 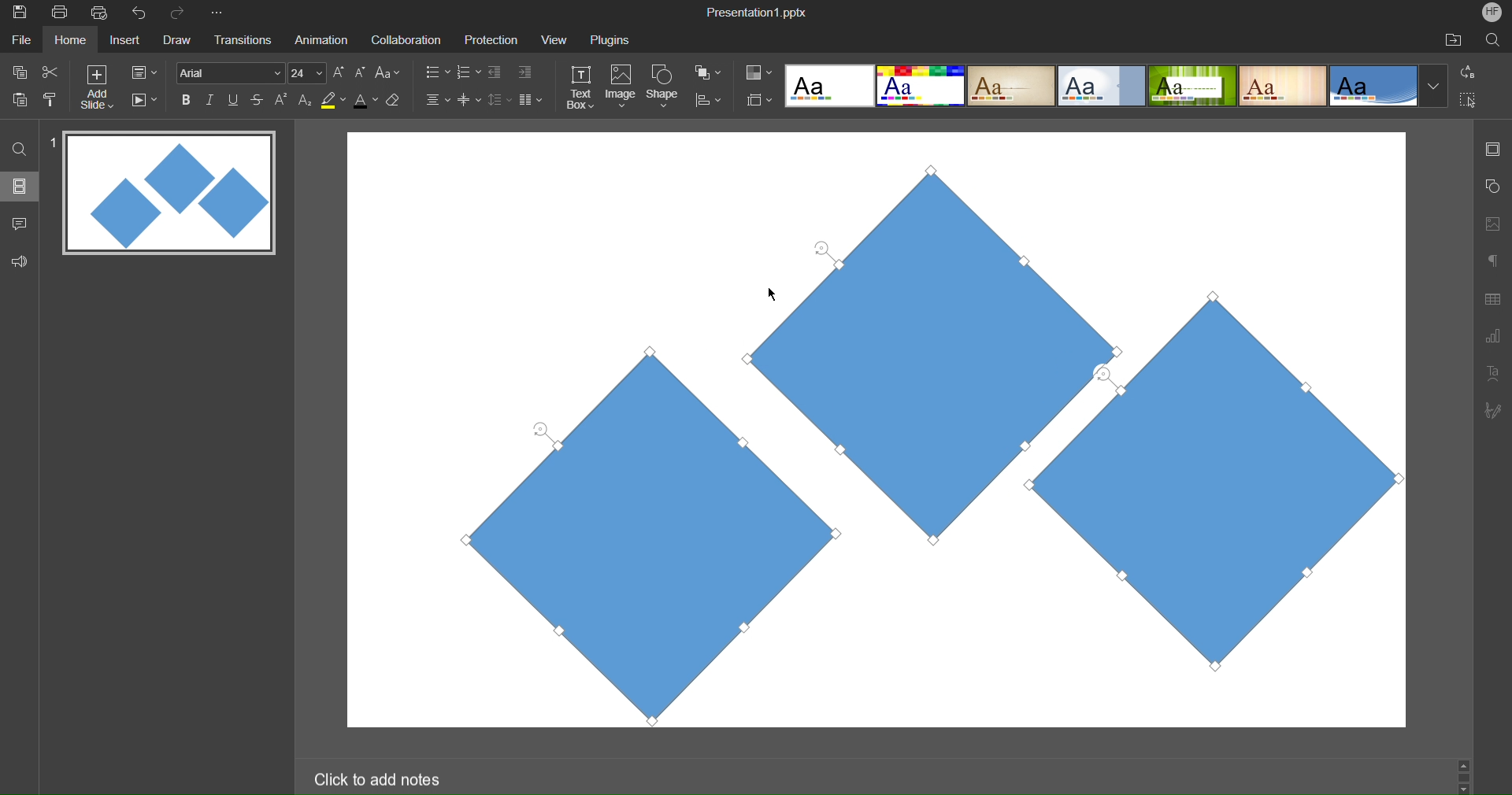 I want to click on Erase Style, so click(x=395, y=100).